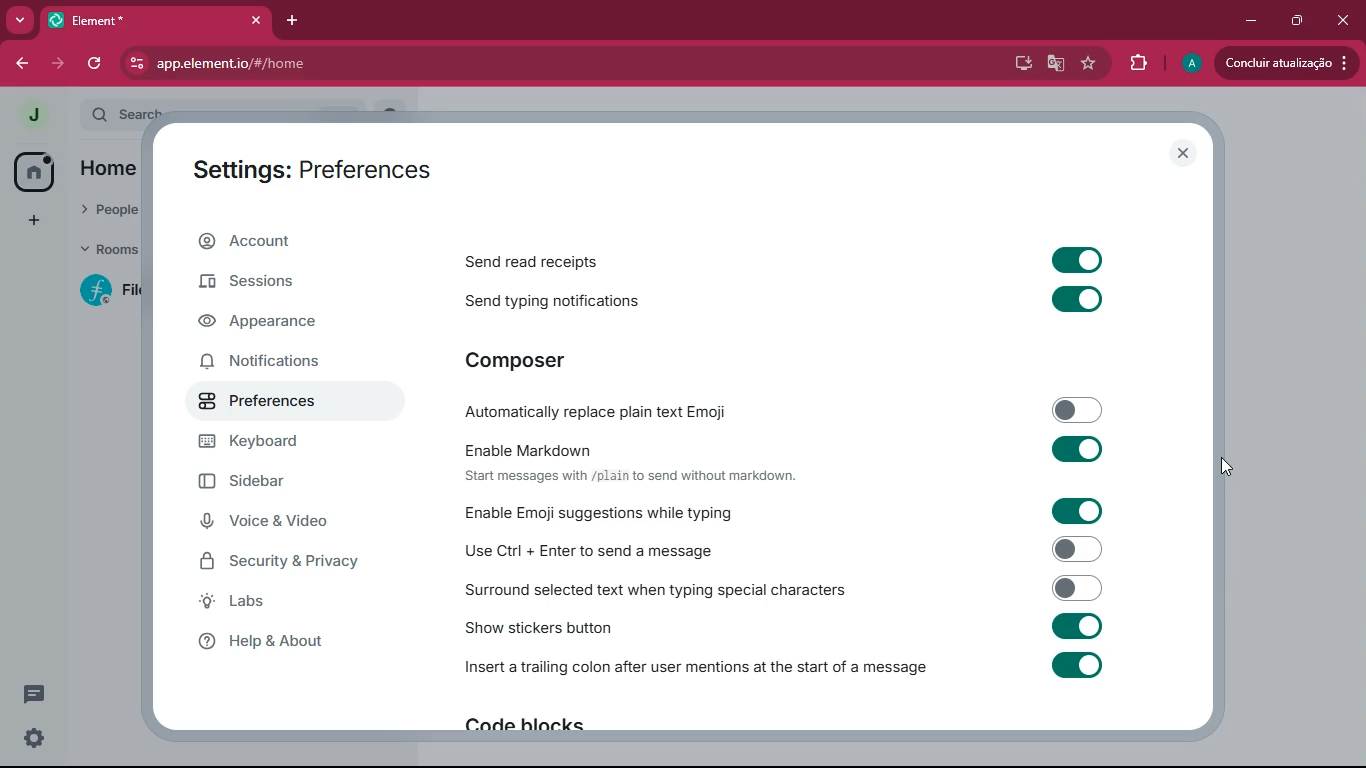  I want to click on appearance, so click(283, 324).